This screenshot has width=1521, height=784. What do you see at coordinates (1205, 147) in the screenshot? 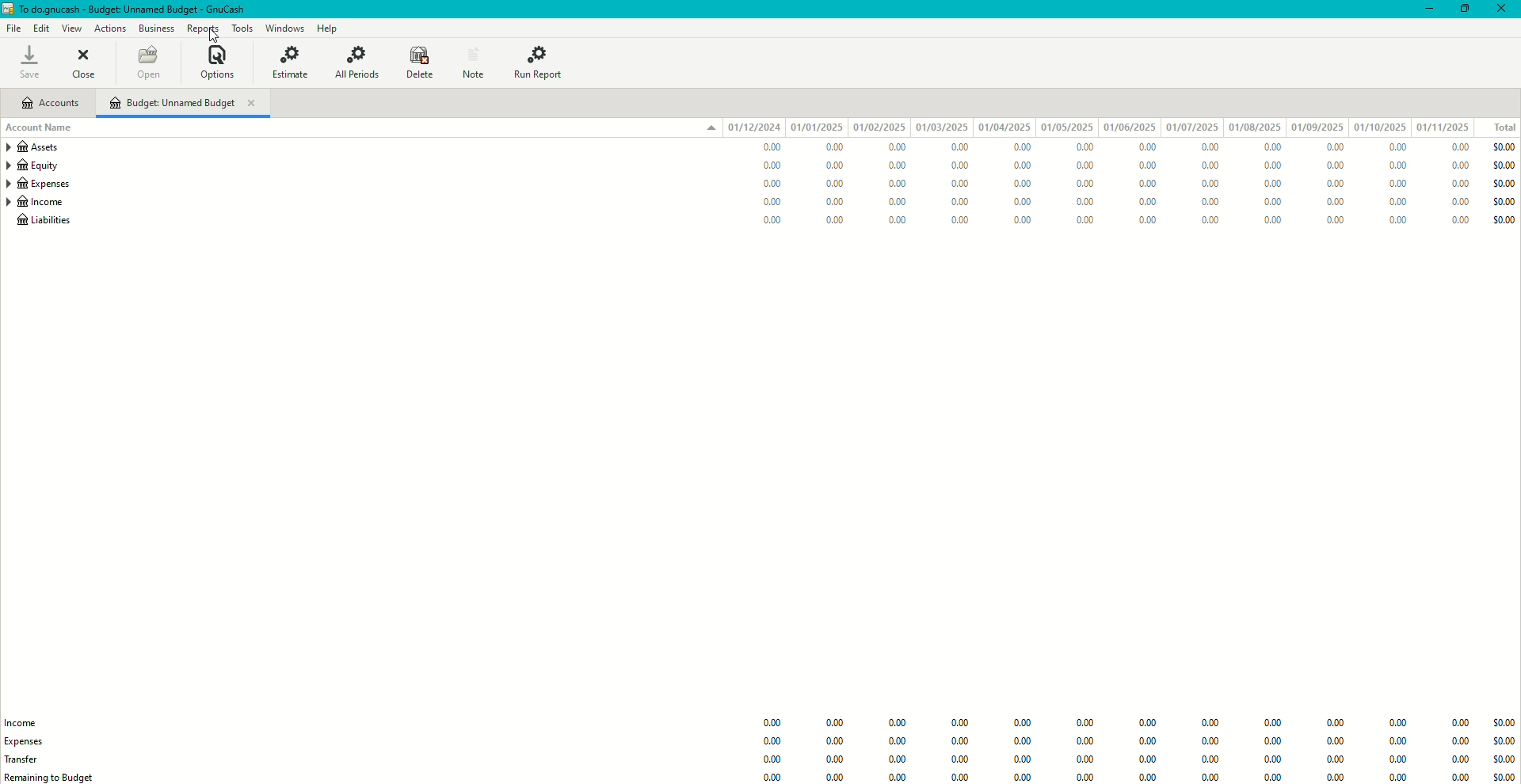
I see `0.00` at bounding box center [1205, 147].